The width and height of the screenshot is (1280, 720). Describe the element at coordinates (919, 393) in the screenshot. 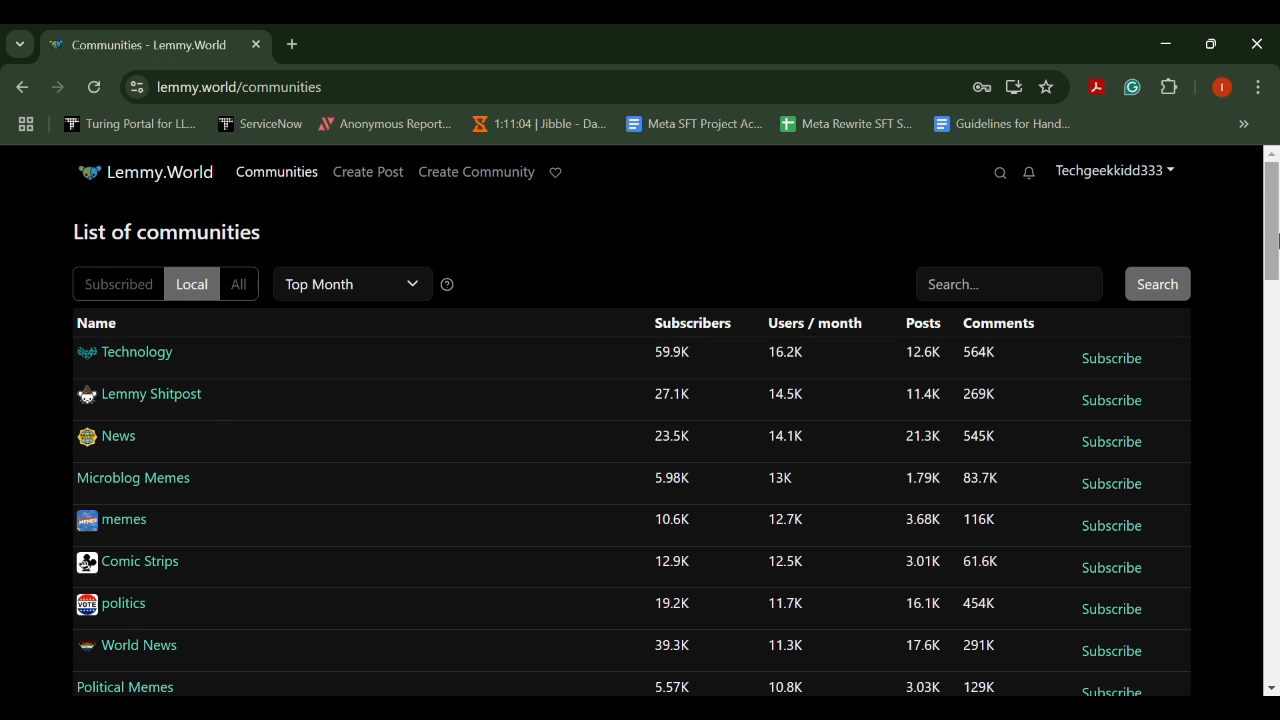

I see `11.4K` at that location.